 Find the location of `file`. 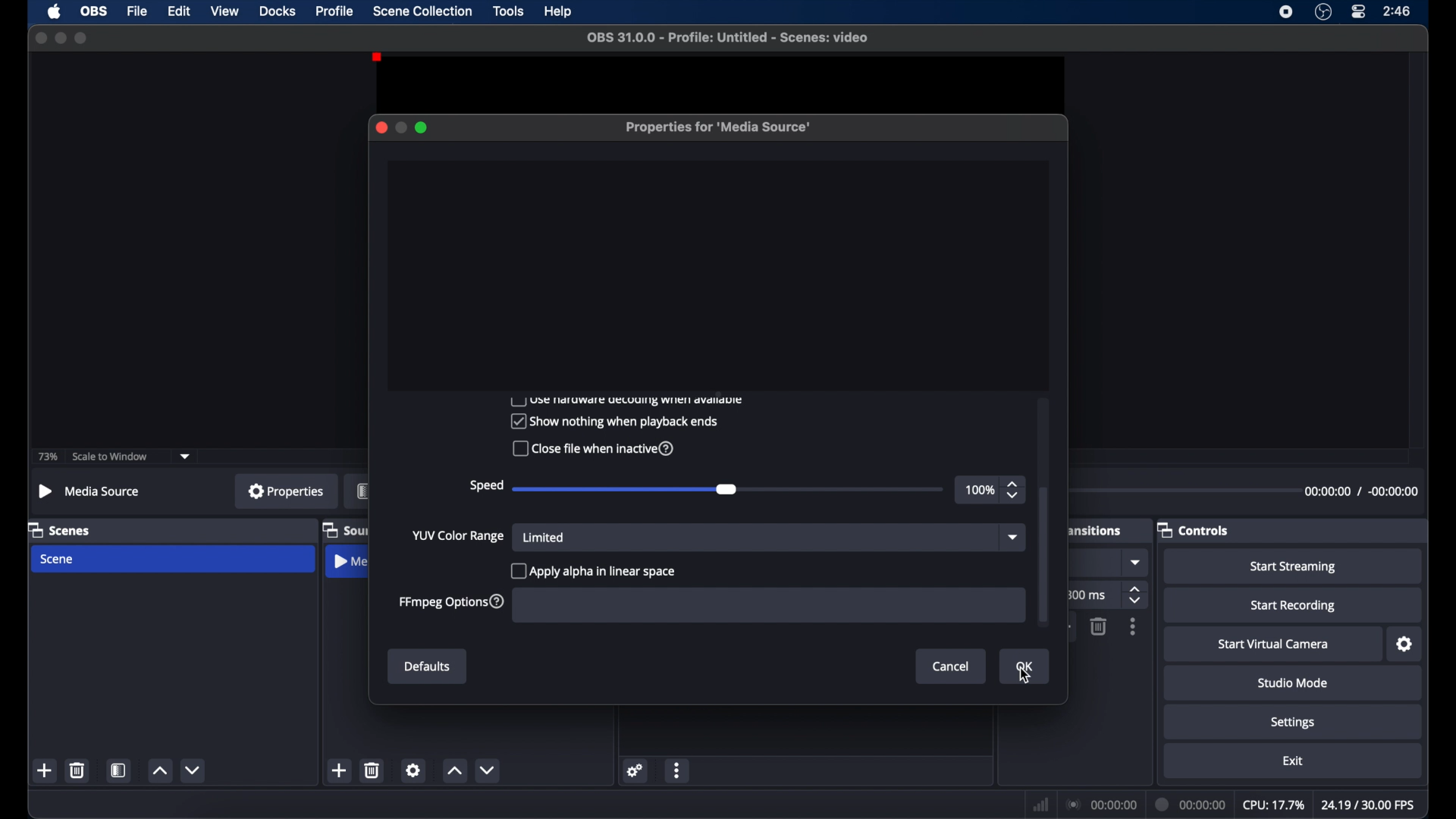

file is located at coordinates (138, 11).